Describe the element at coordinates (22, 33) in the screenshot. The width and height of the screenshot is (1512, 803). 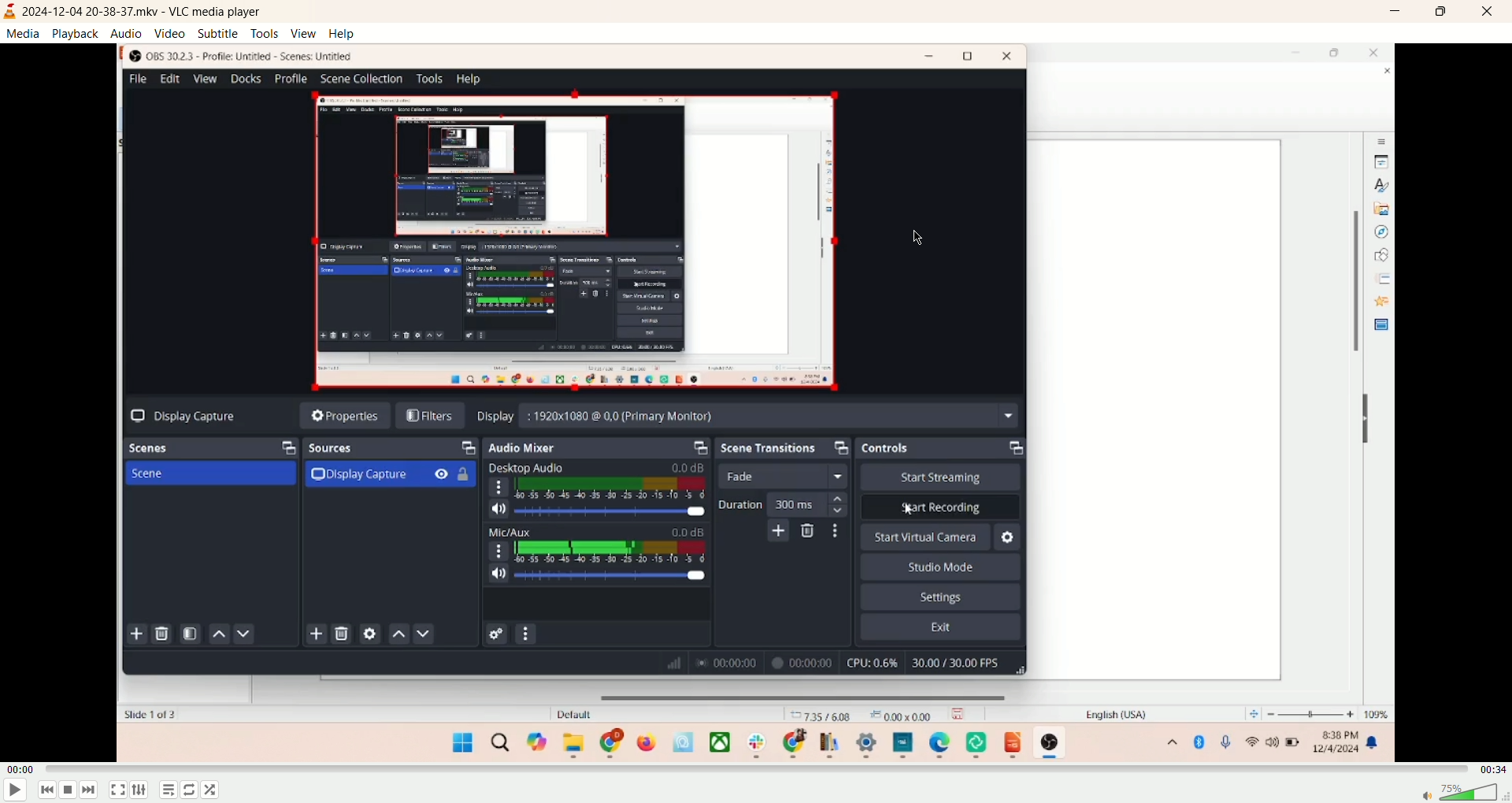
I see `media` at that location.